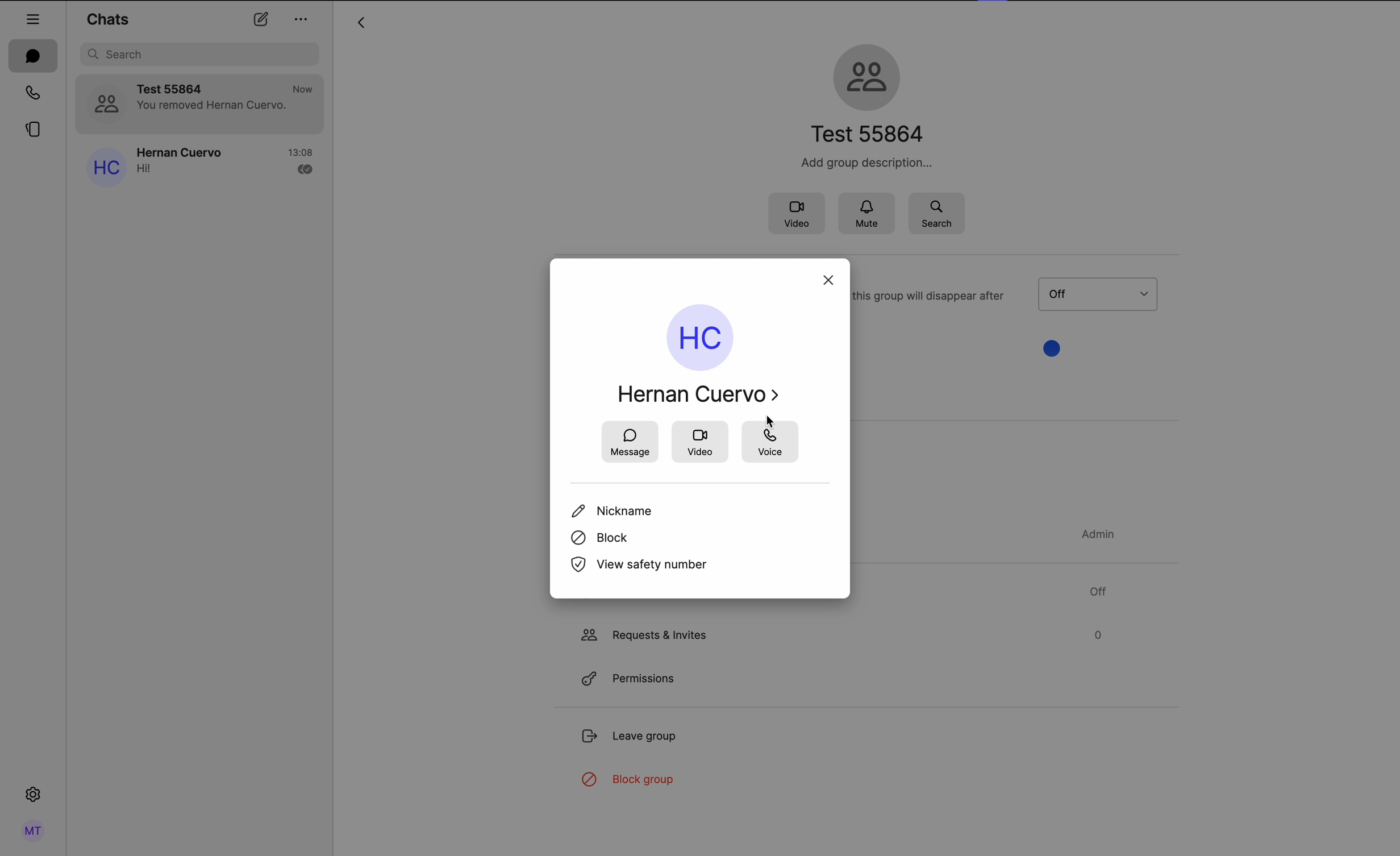  Describe the element at coordinates (34, 16) in the screenshot. I see `hide tabs` at that location.